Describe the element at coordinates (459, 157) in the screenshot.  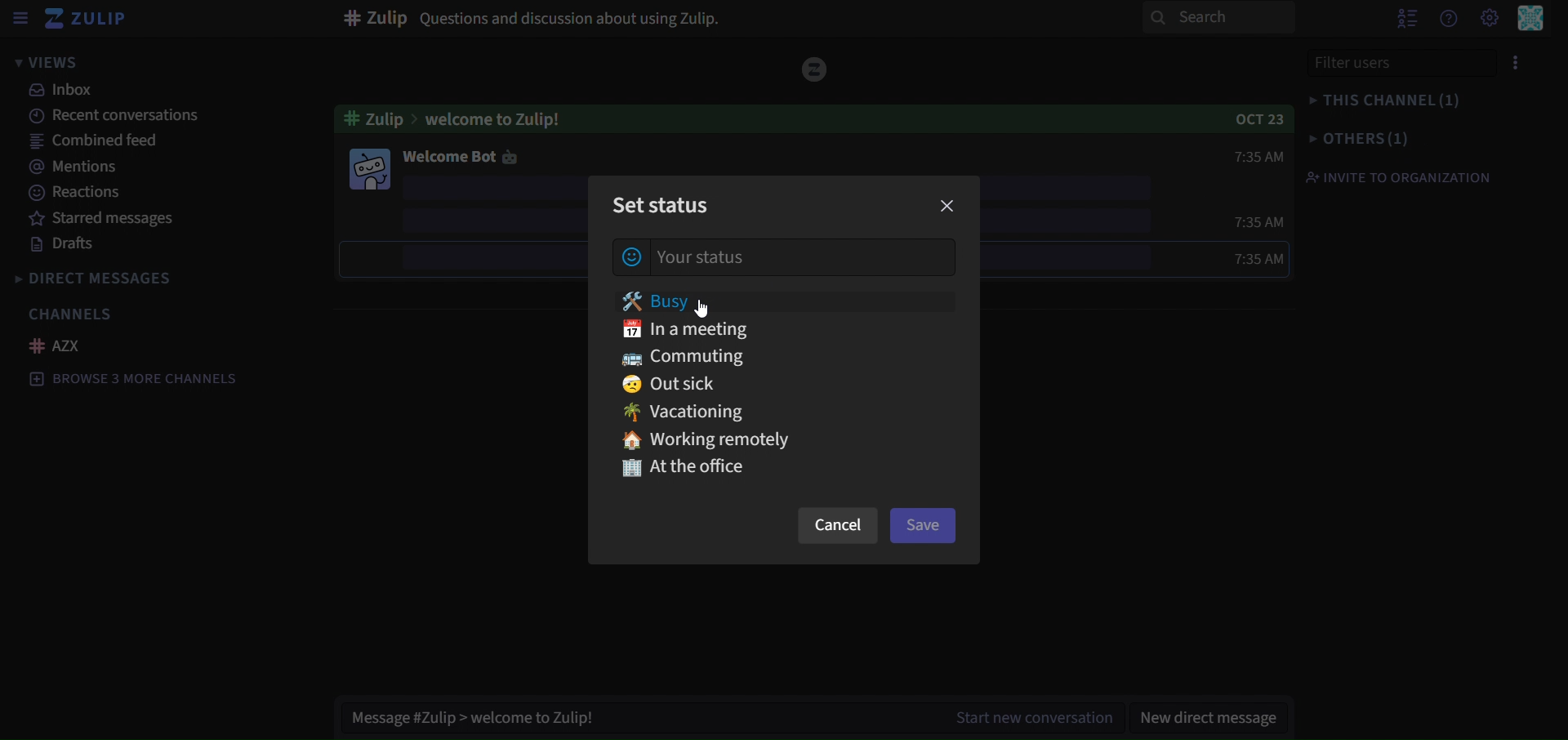
I see `welcome bot` at that location.